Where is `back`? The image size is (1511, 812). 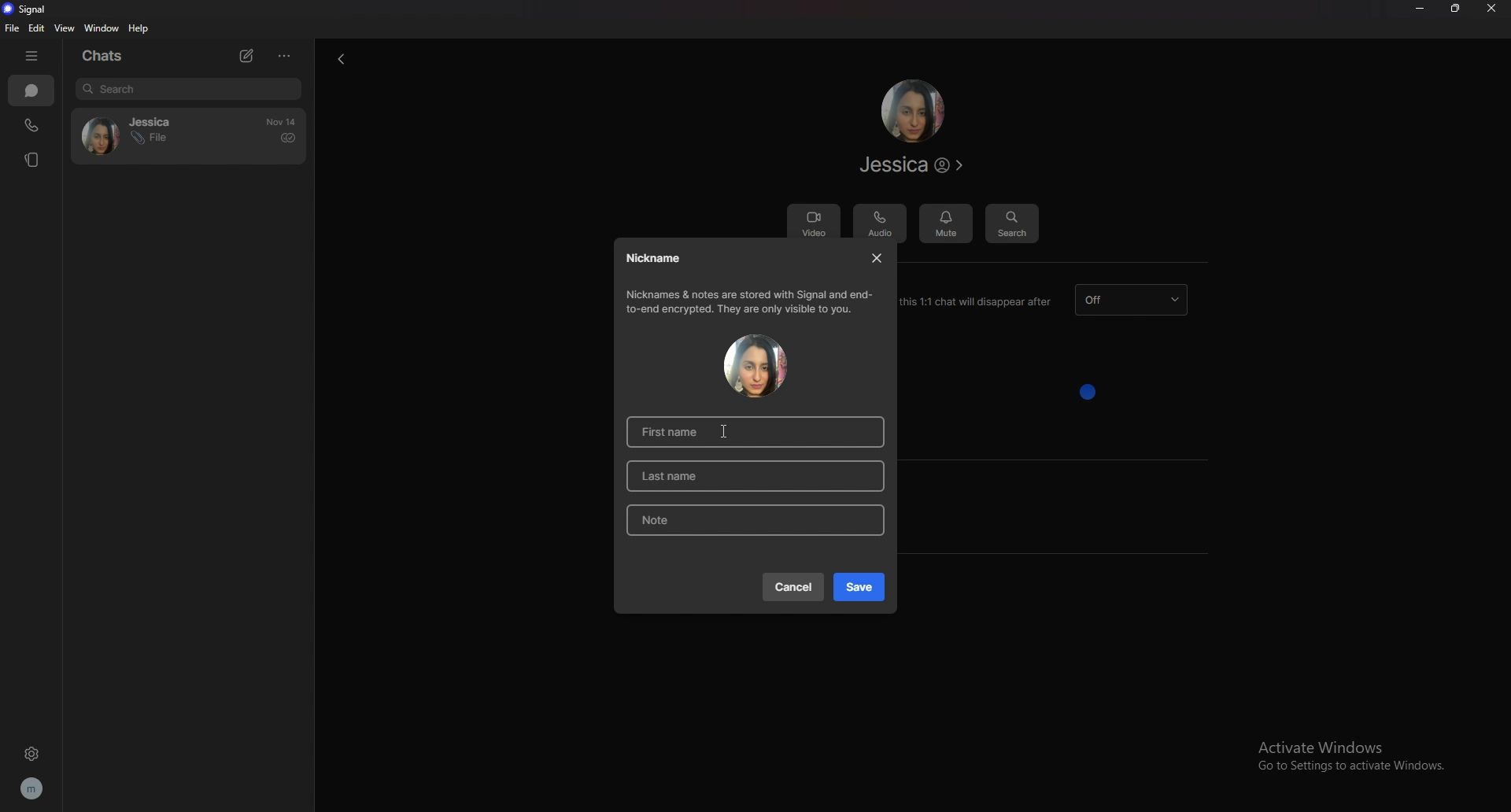
back is located at coordinates (341, 58).